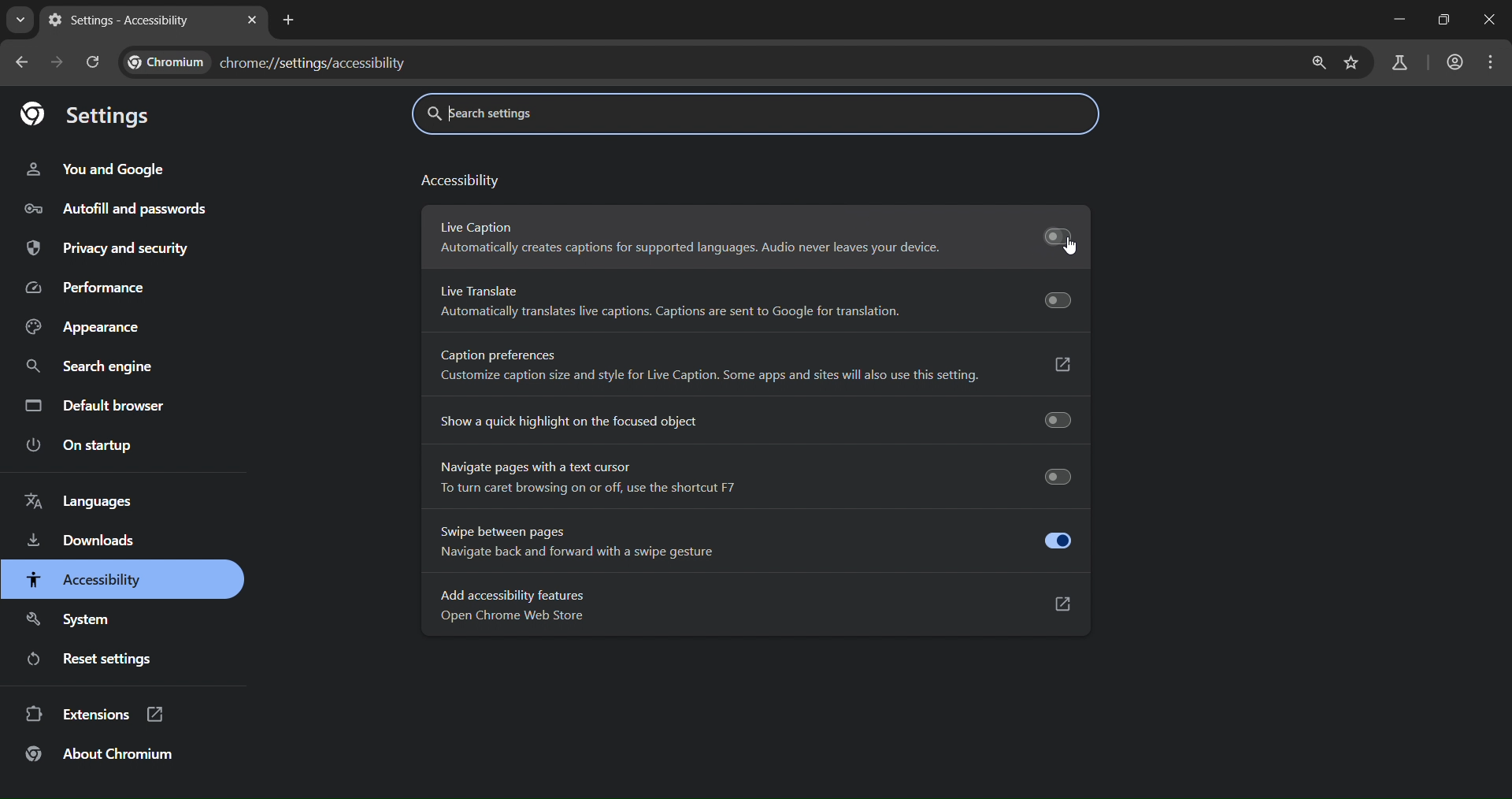  Describe the element at coordinates (77, 622) in the screenshot. I see `system` at that location.